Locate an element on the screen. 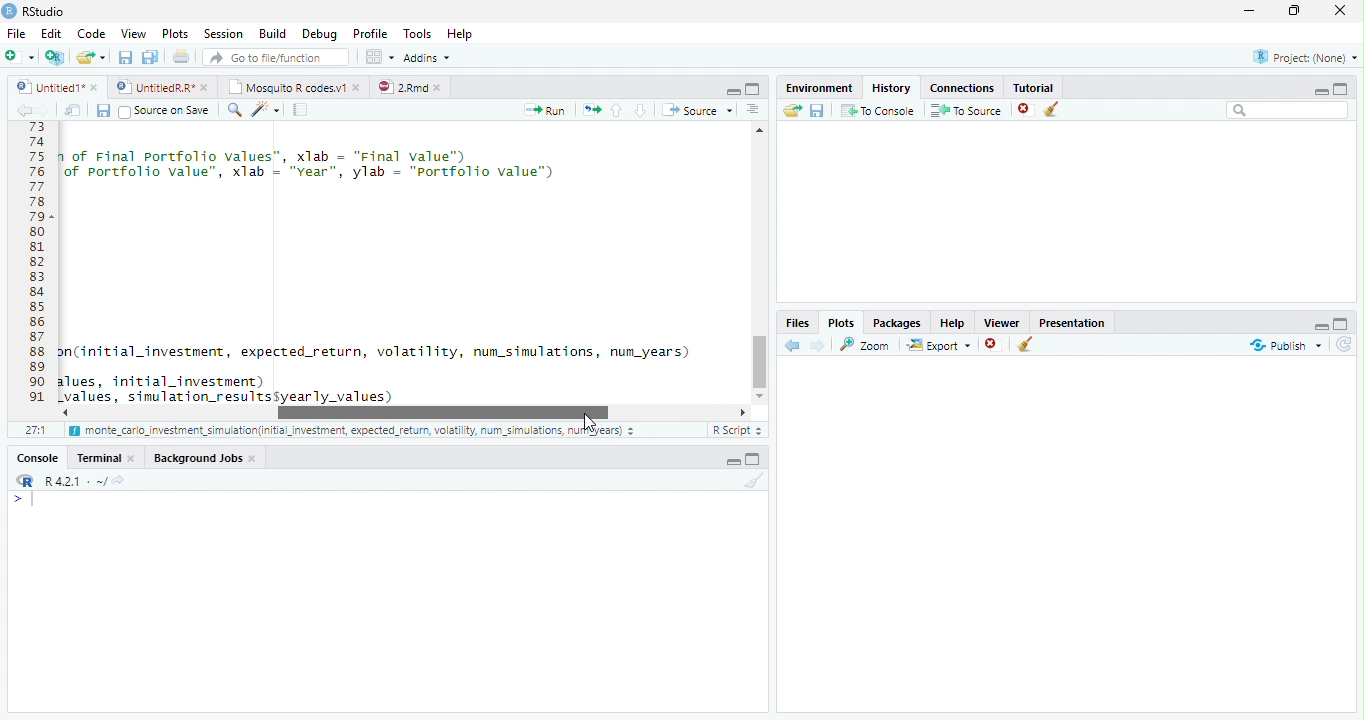 This screenshot has height=720, width=1364. Addins is located at coordinates (428, 57).